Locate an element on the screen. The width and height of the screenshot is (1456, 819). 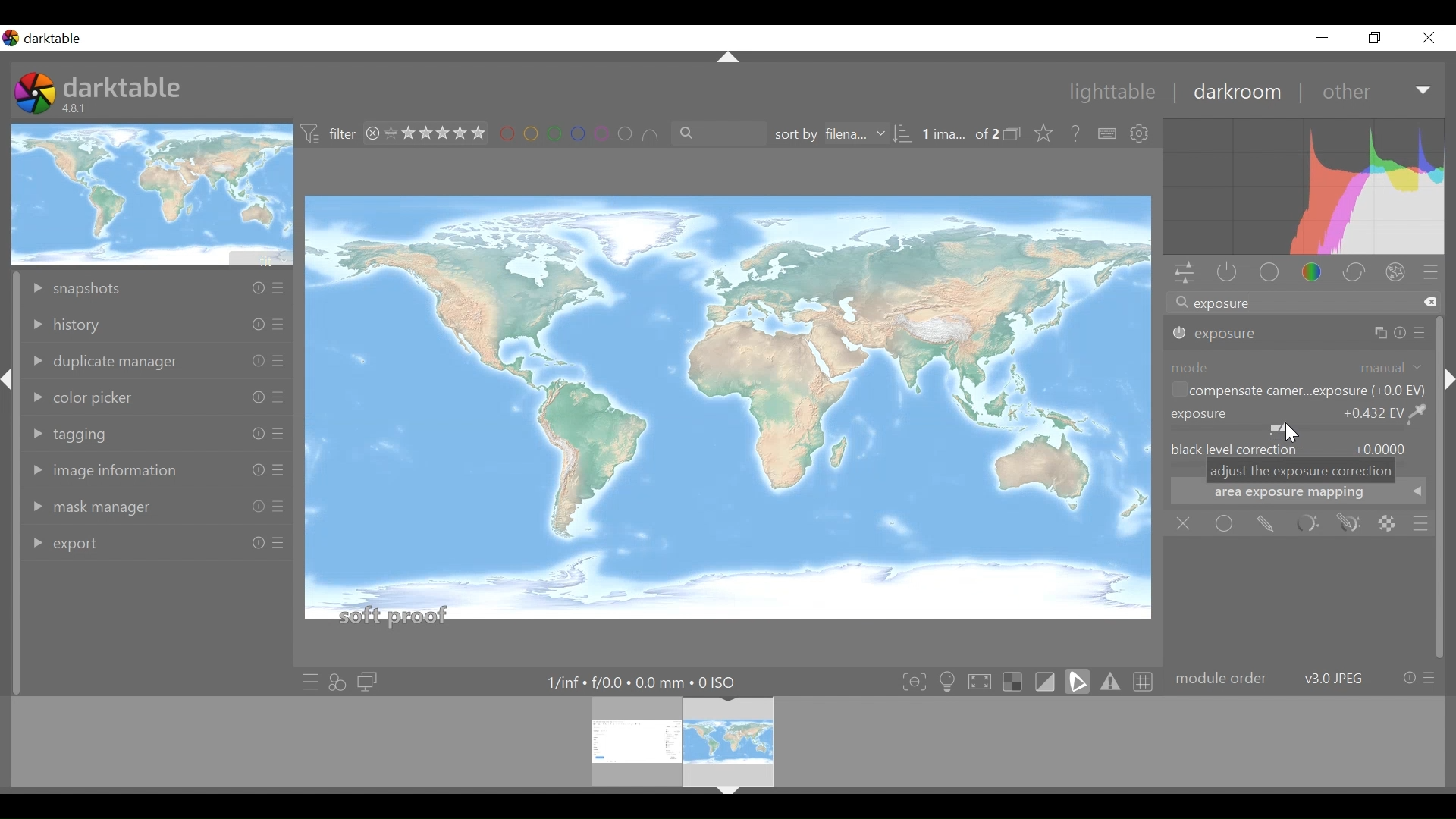
raster mask  is located at coordinates (1387, 523).